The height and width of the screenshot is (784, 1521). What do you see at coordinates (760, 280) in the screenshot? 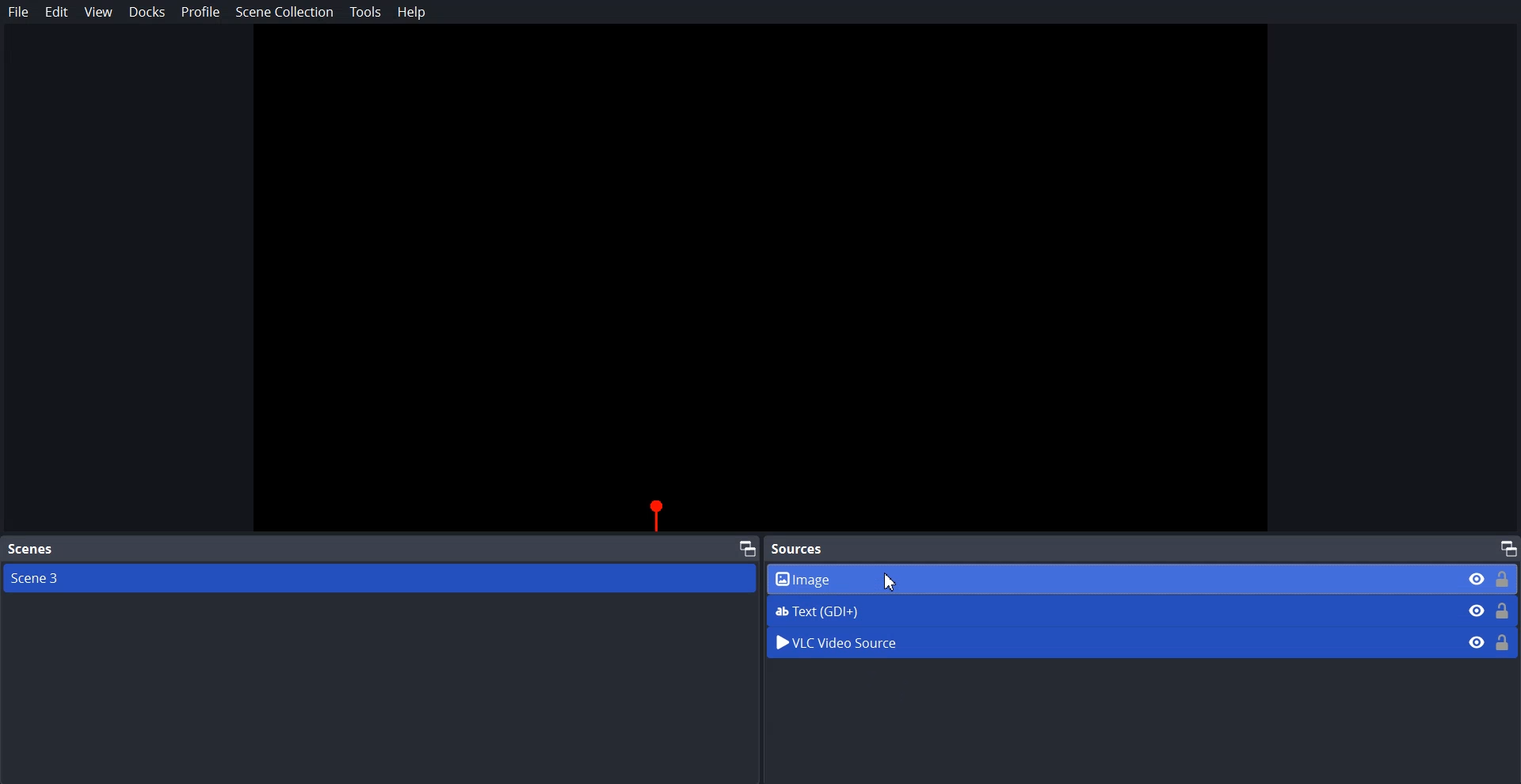
I see `Preview Window` at bounding box center [760, 280].